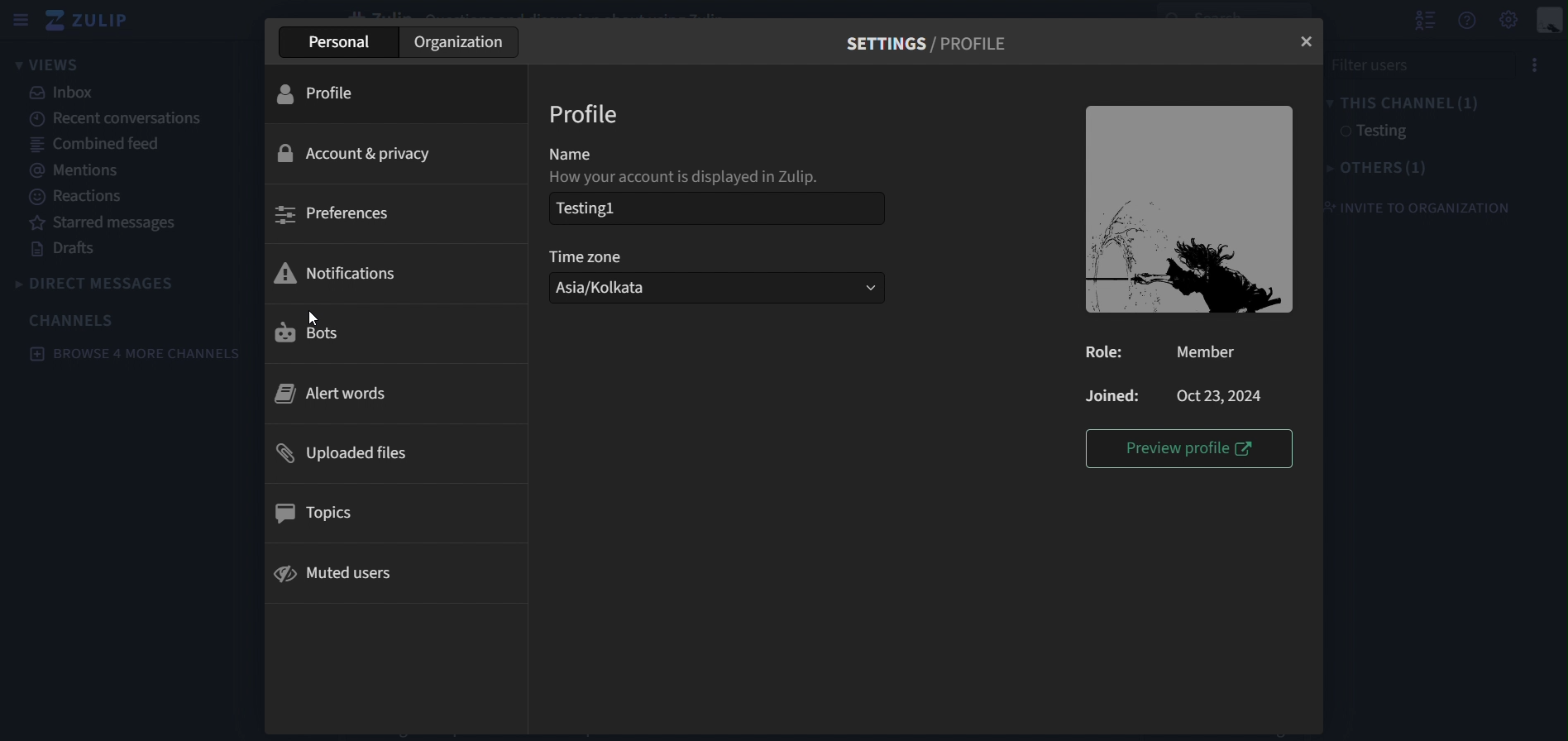  What do you see at coordinates (355, 456) in the screenshot?
I see `uploaded files` at bounding box center [355, 456].